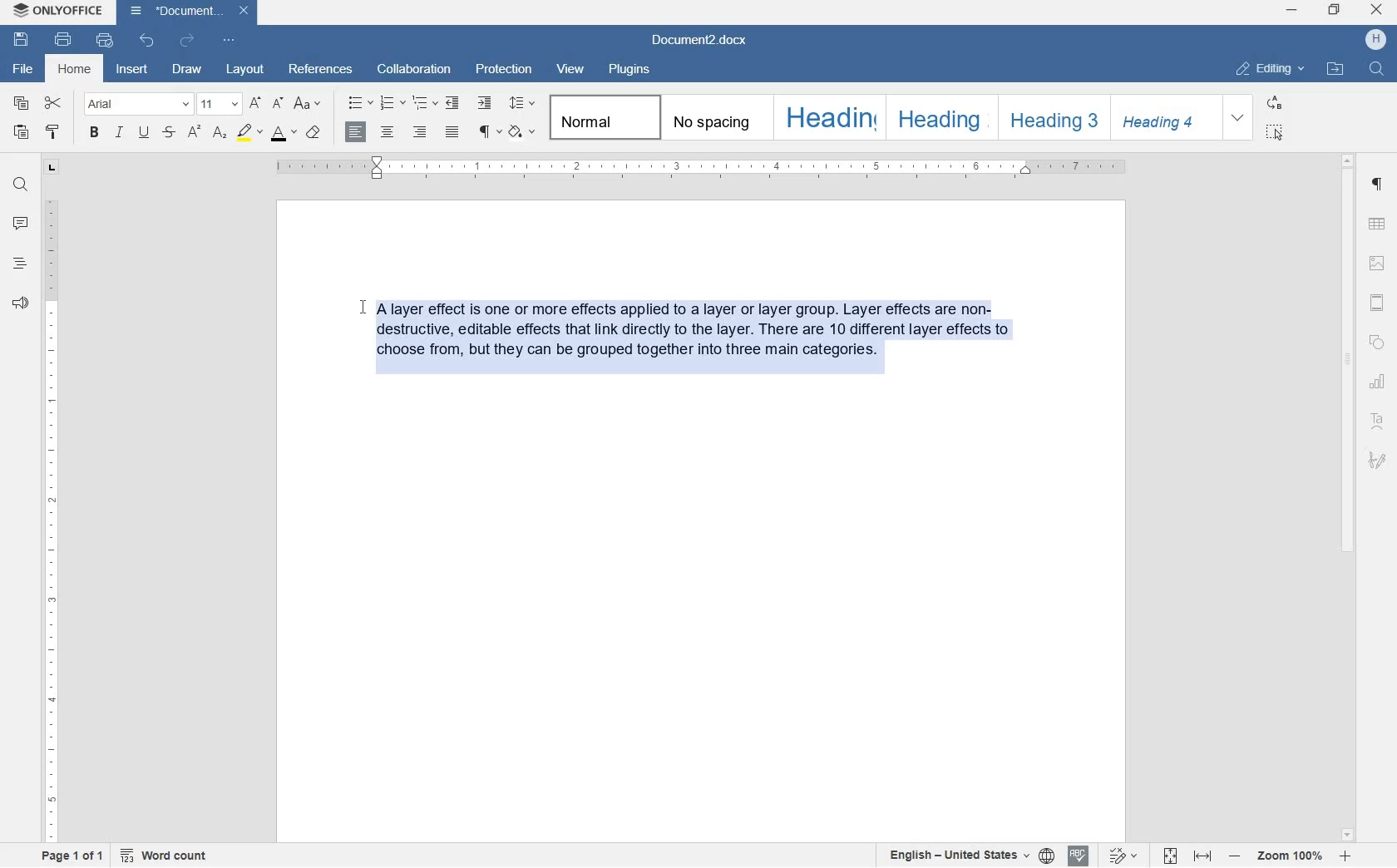 This screenshot has height=868, width=1397. I want to click on zoom in or zoom out, so click(1289, 856).